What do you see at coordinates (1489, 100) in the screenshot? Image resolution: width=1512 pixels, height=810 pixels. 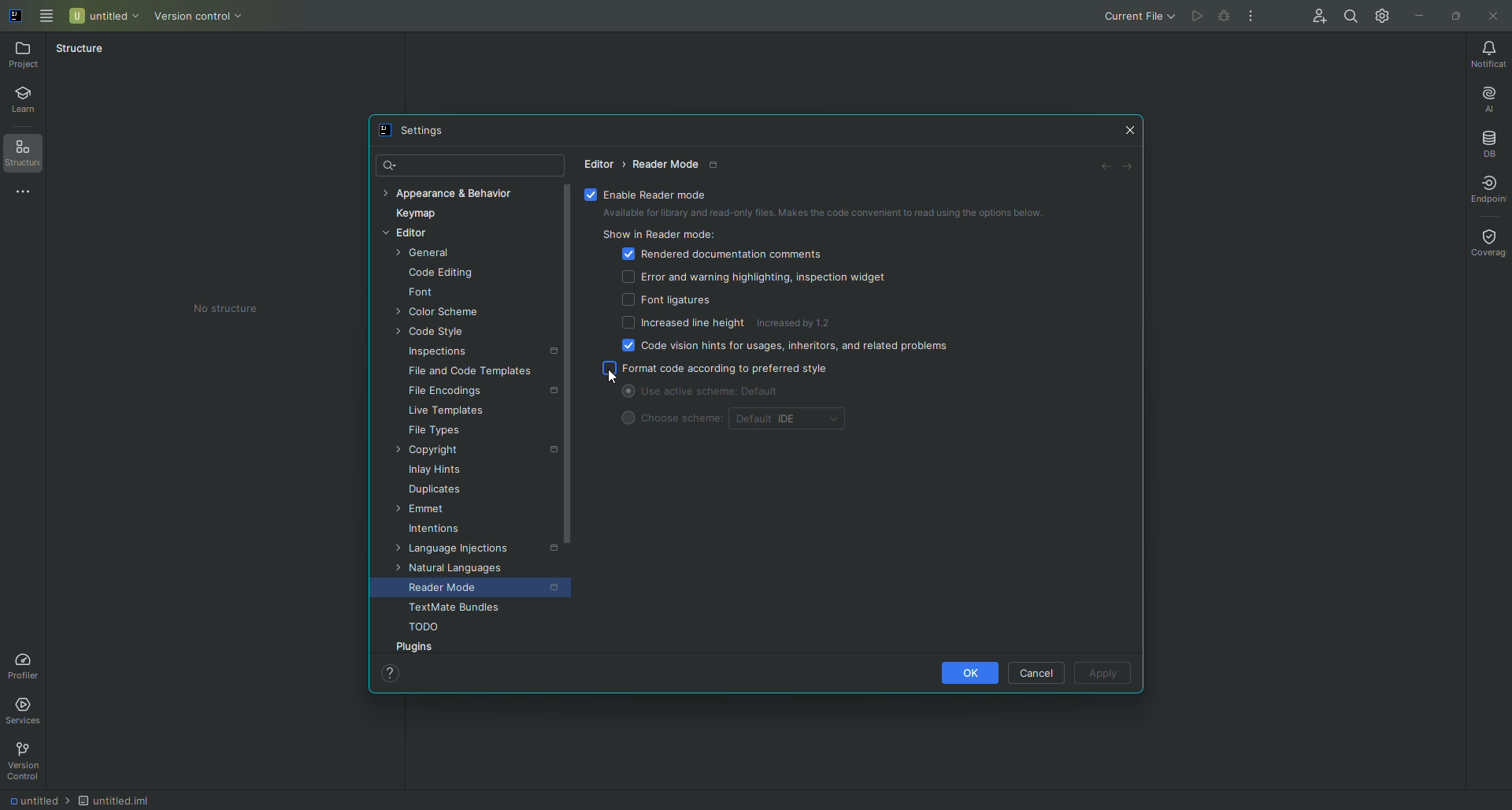 I see `AI Assistant` at bounding box center [1489, 100].